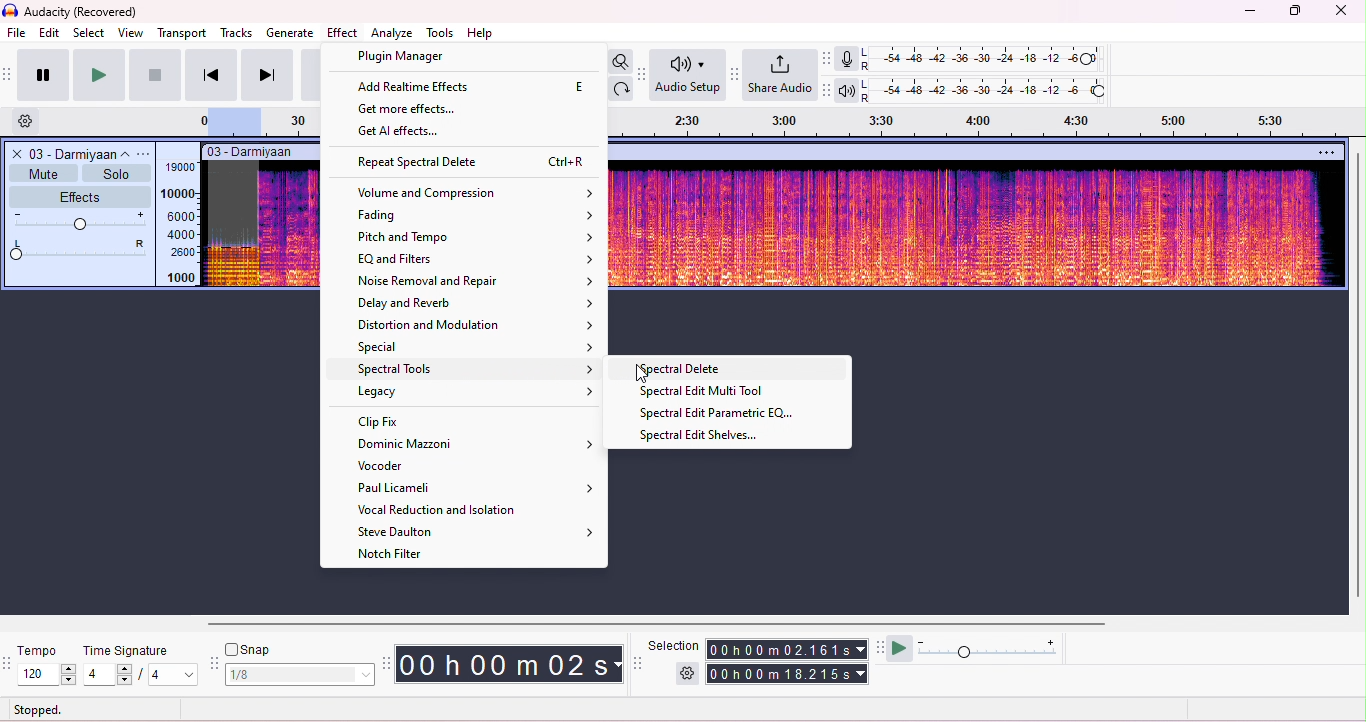 The height and width of the screenshot is (722, 1366). Describe the element at coordinates (237, 34) in the screenshot. I see `tracks` at that location.